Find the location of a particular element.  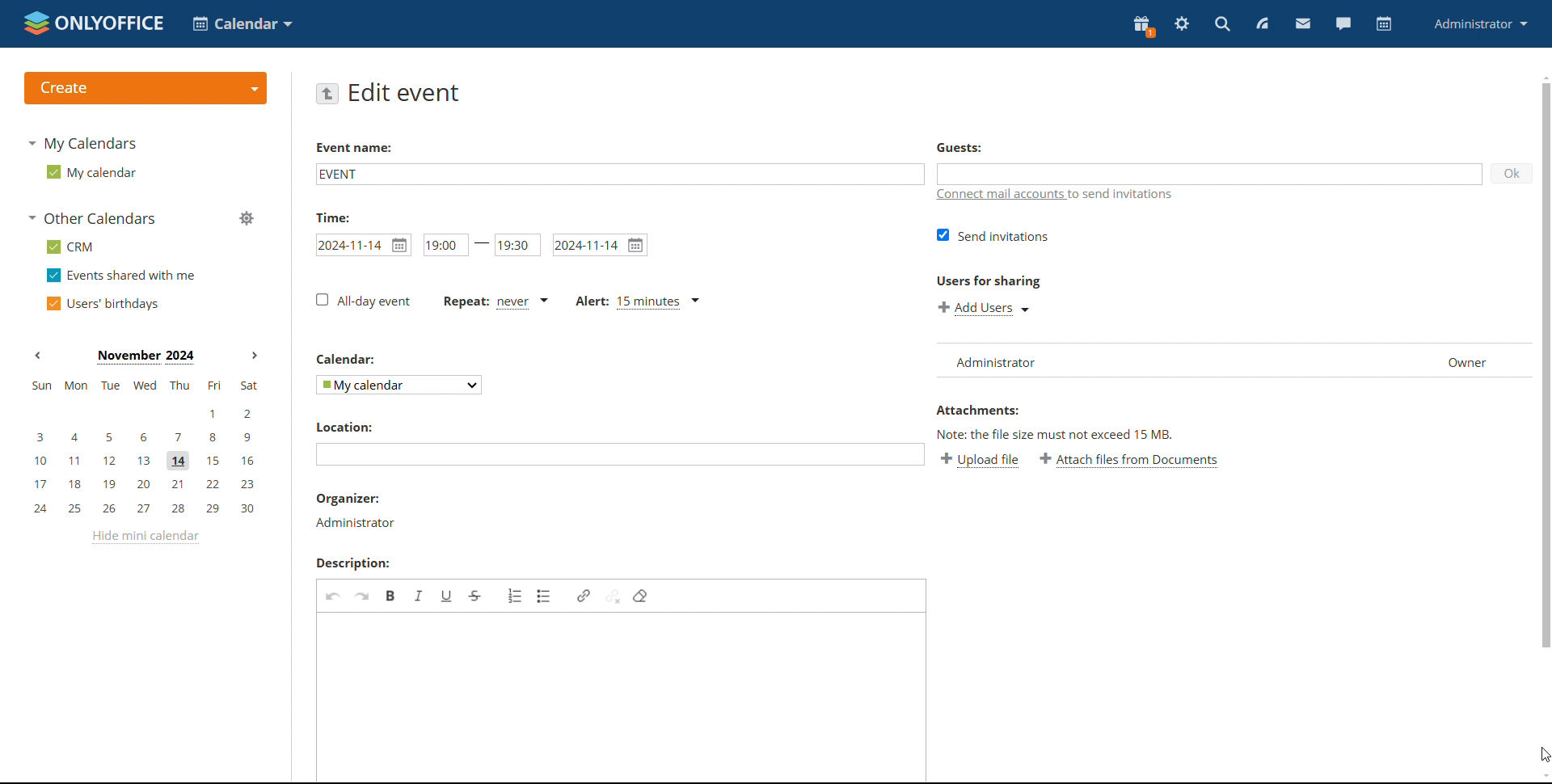

event name is located at coordinates (353, 150).